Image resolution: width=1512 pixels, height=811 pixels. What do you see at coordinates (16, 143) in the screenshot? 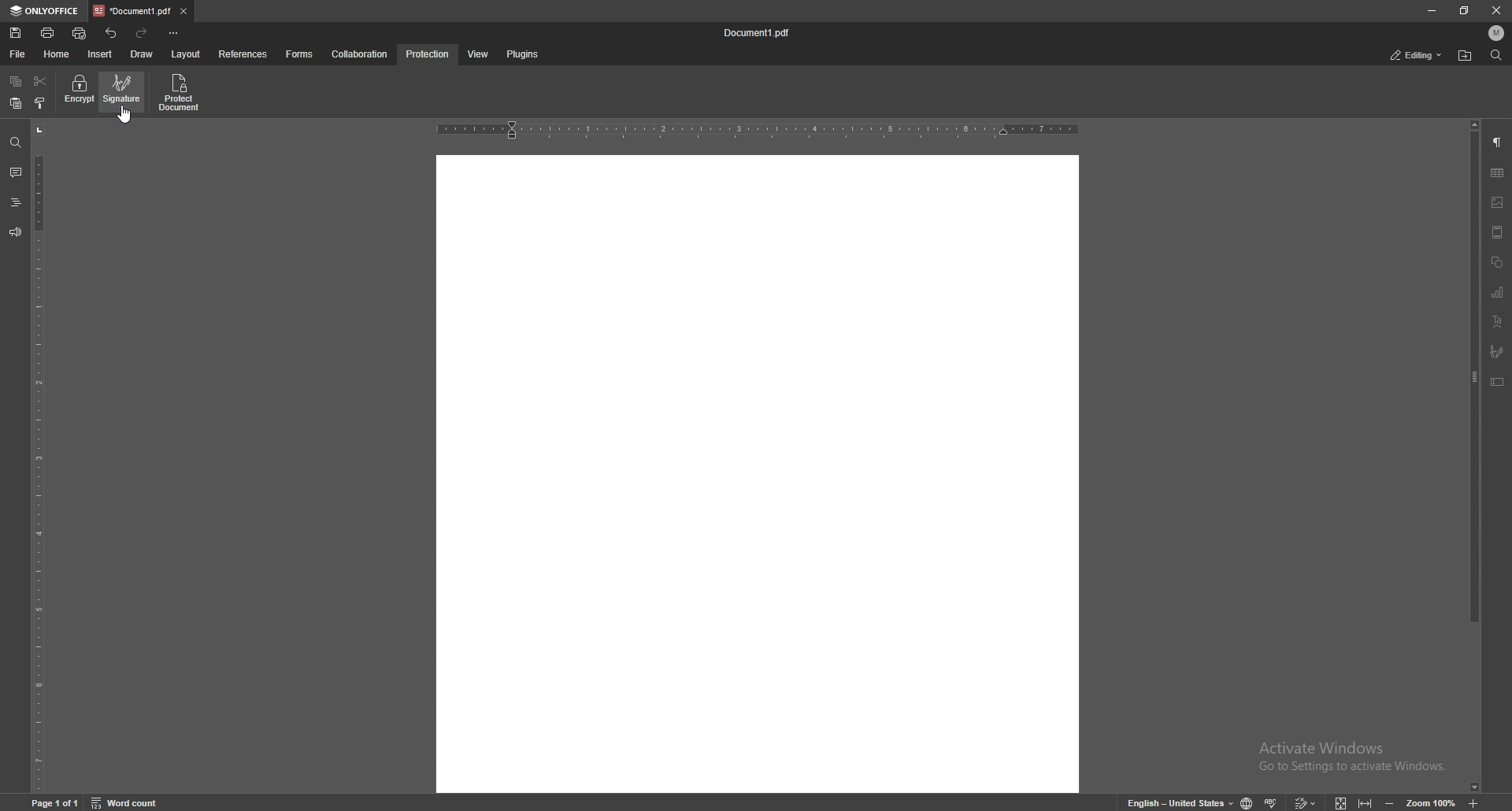
I see `find` at bounding box center [16, 143].